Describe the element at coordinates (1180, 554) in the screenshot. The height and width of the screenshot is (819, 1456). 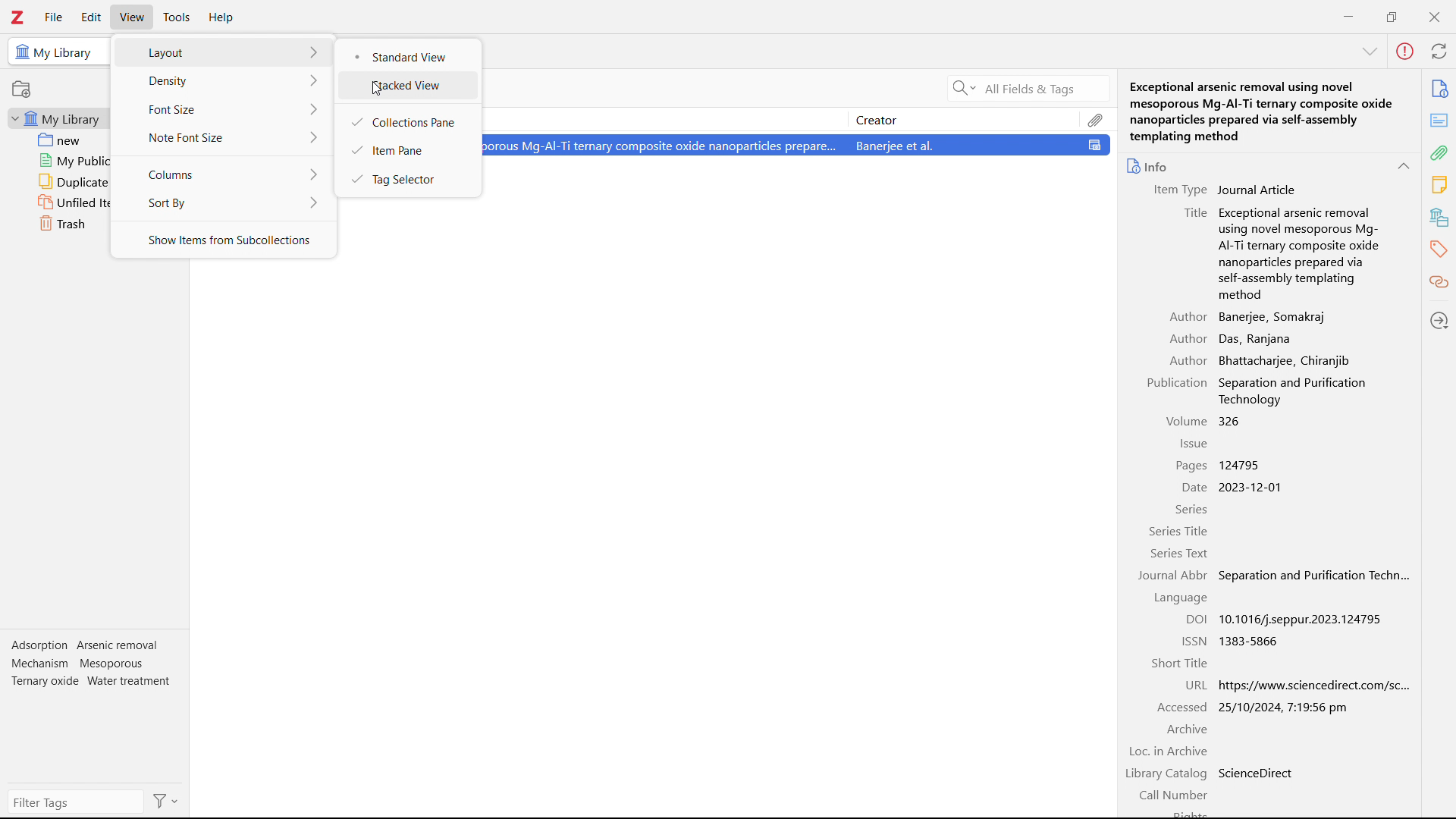
I see `Series Text` at that location.